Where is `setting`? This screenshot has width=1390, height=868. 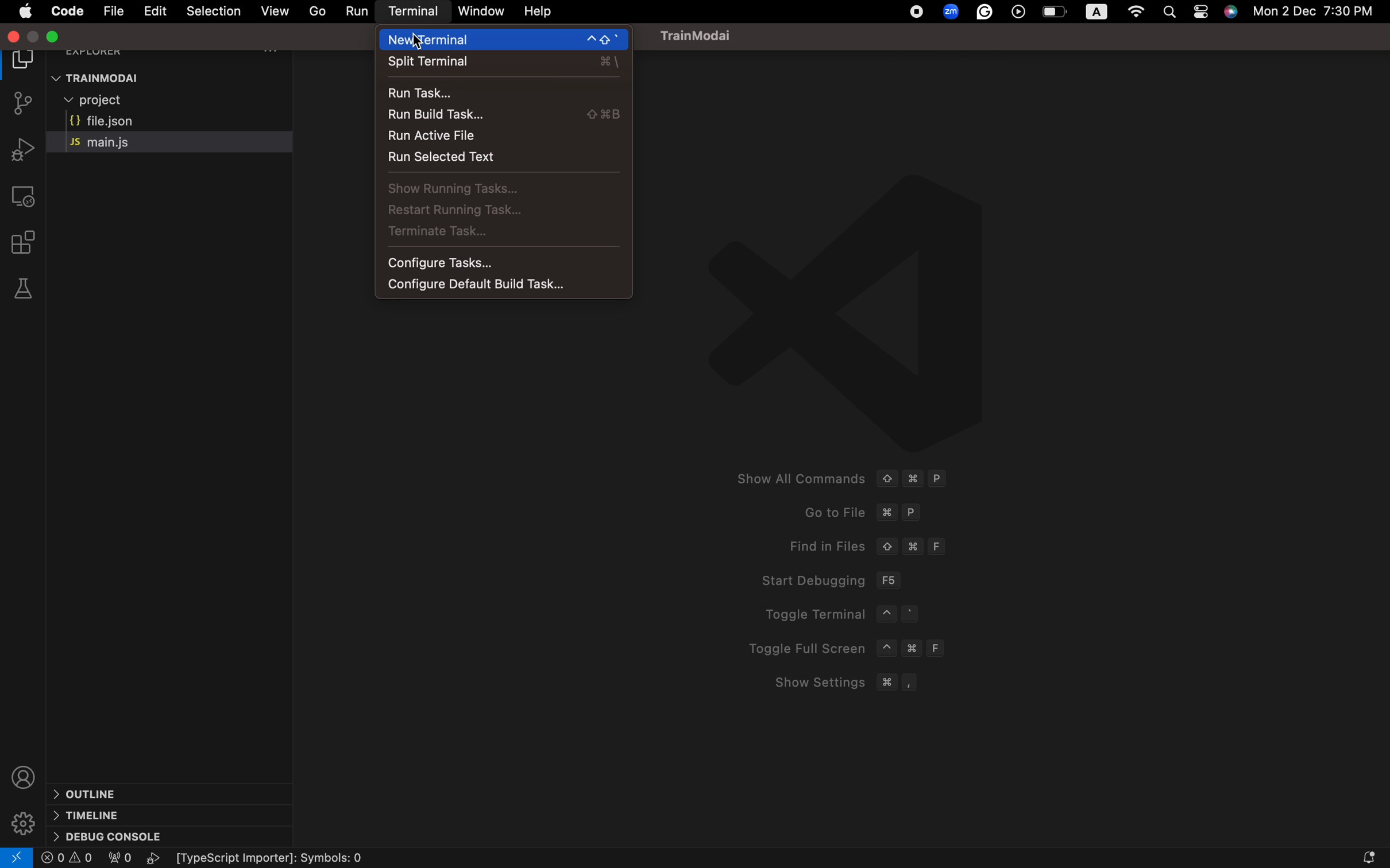
setting is located at coordinates (23, 817).